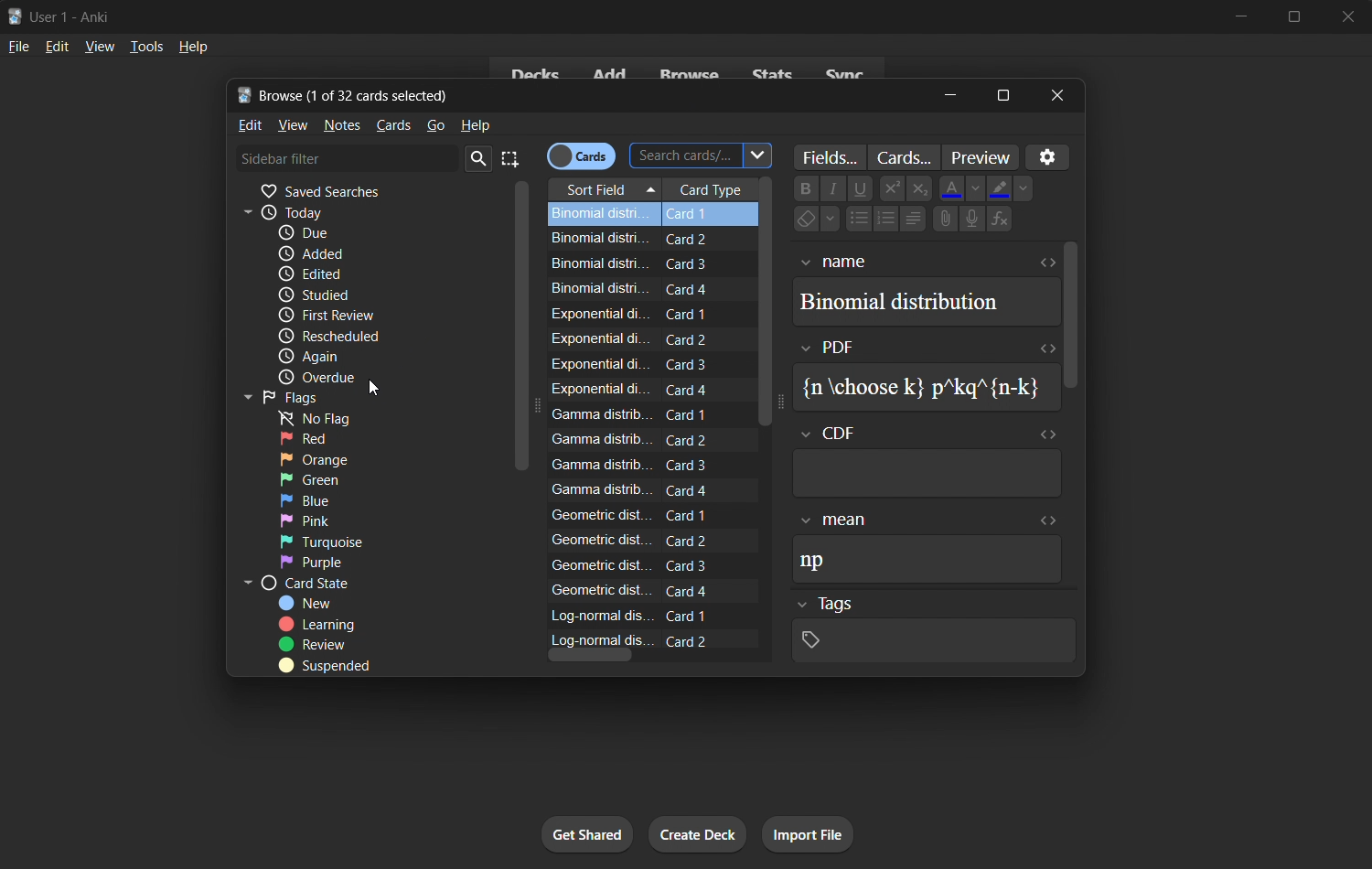 The width and height of the screenshot is (1372, 869). What do you see at coordinates (601, 315) in the screenshot?
I see `Exponential di.` at bounding box center [601, 315].